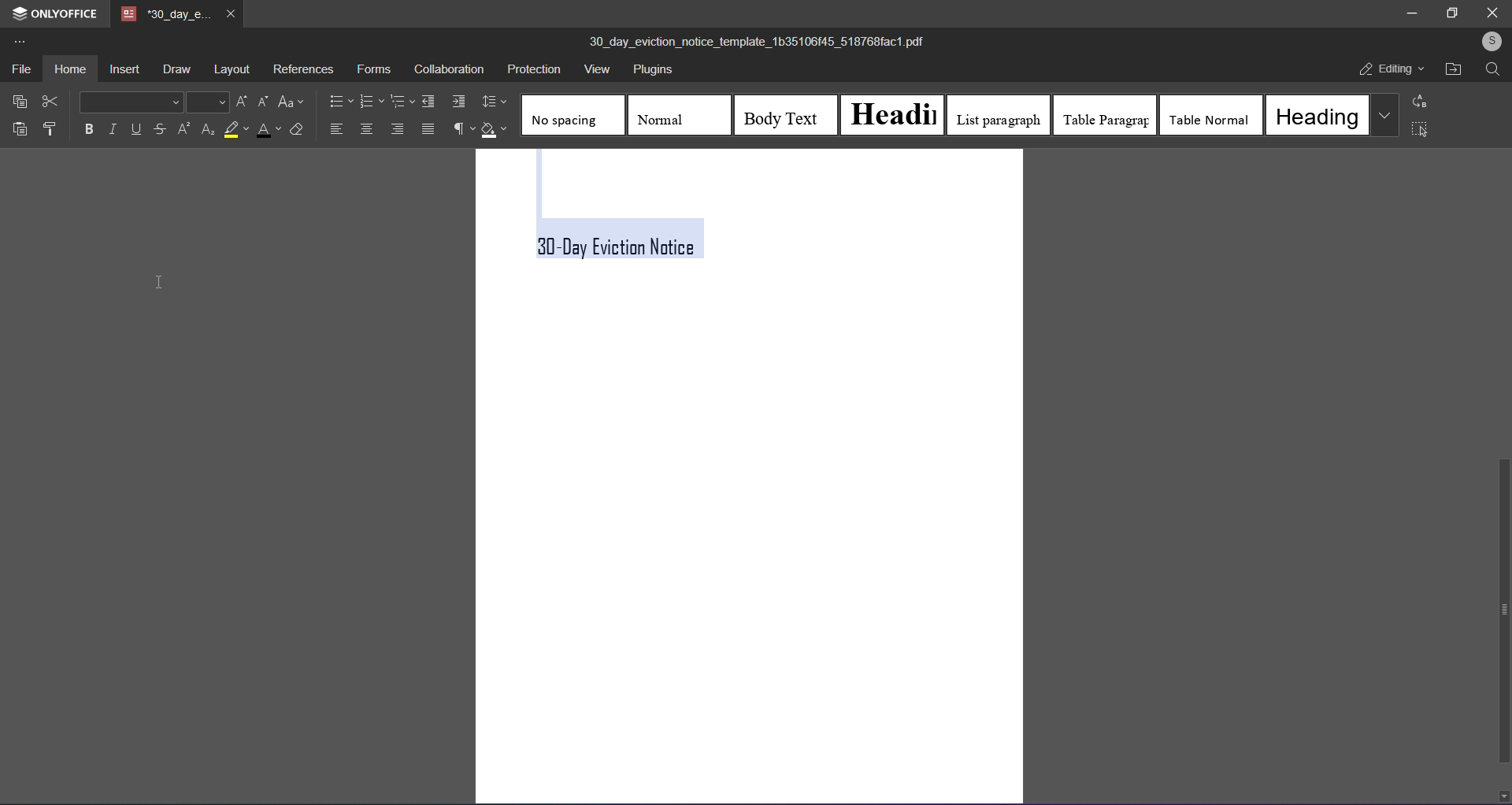 This screenshot has height=805, width=1512. Describe the element at coordinates (52, 12) in the screenshot. I see `onlyoffice` at that location.